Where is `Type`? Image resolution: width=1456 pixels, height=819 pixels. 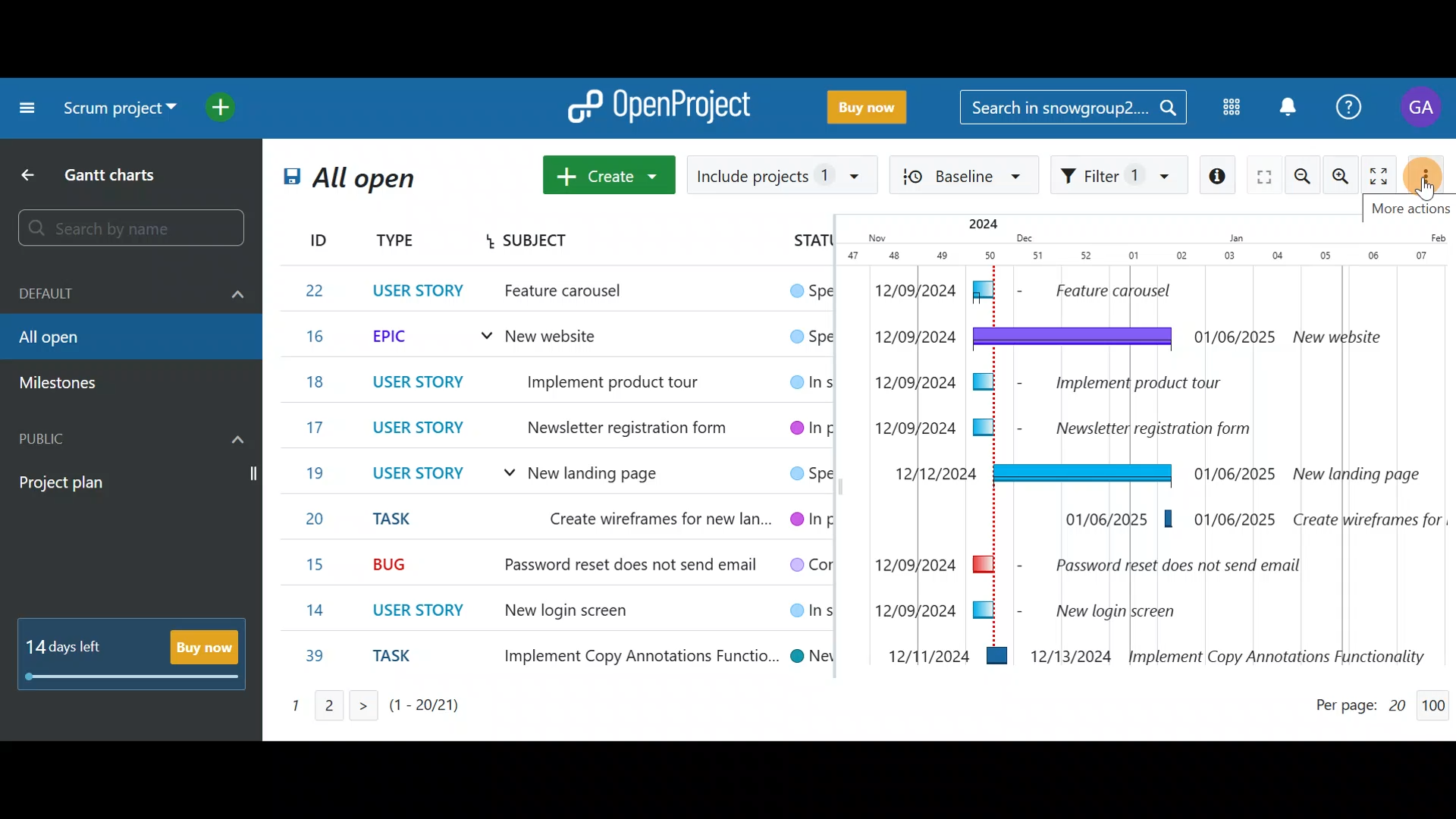 Type is located at coordinates (396, 242).